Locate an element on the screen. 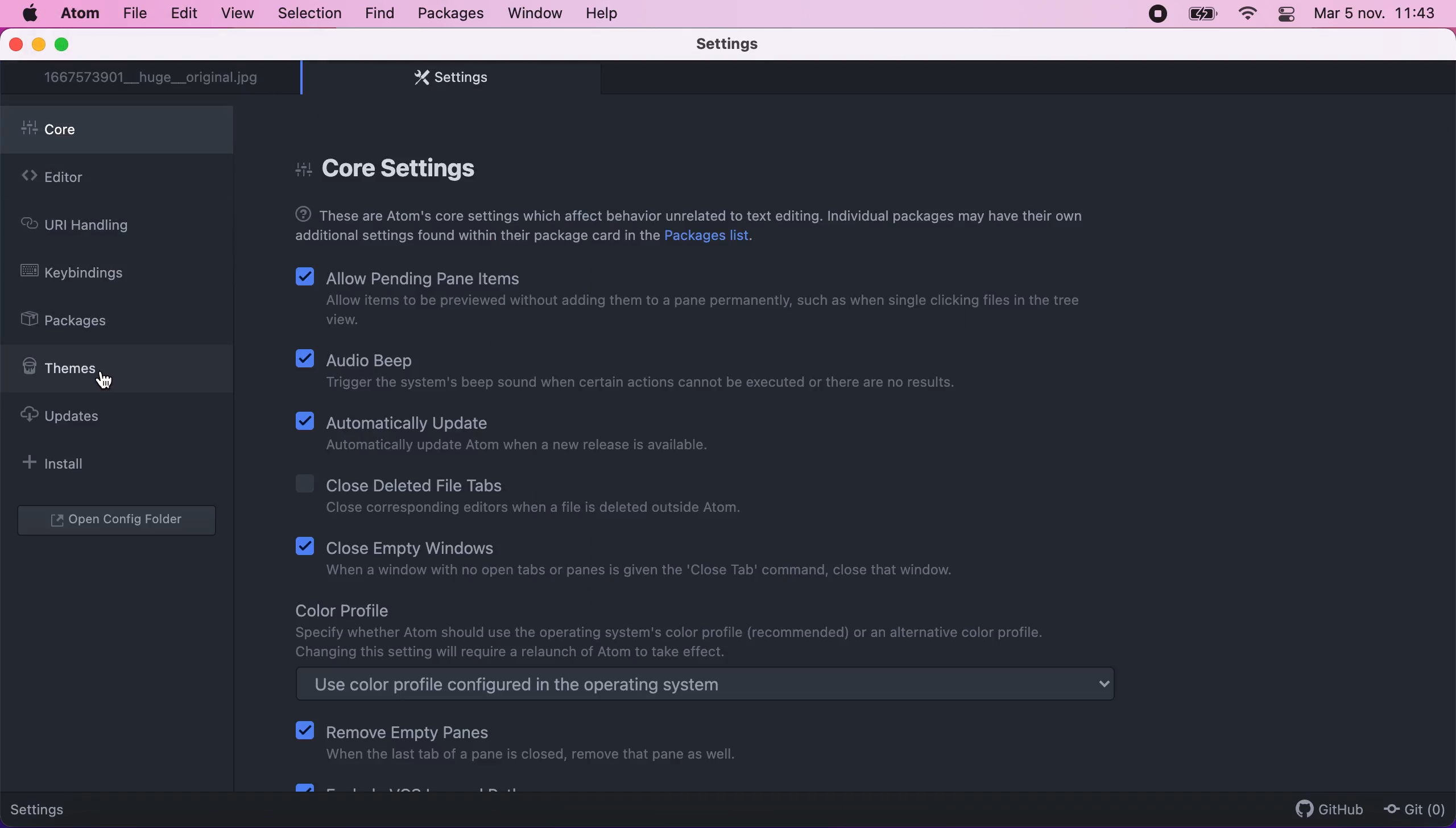  git(0) is located at coordinates (1413, 811).